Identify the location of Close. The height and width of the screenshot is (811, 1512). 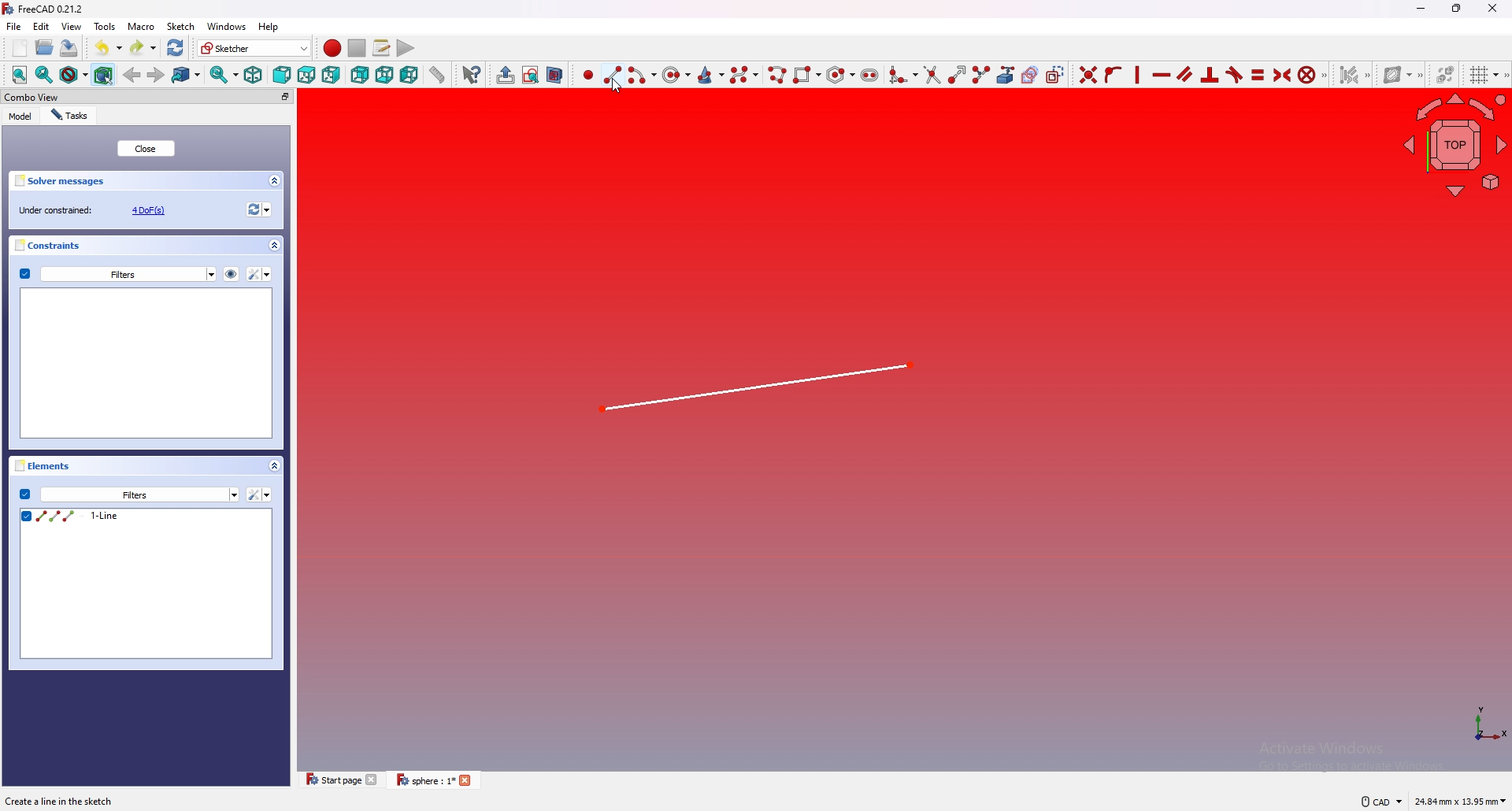
(1492, 8).